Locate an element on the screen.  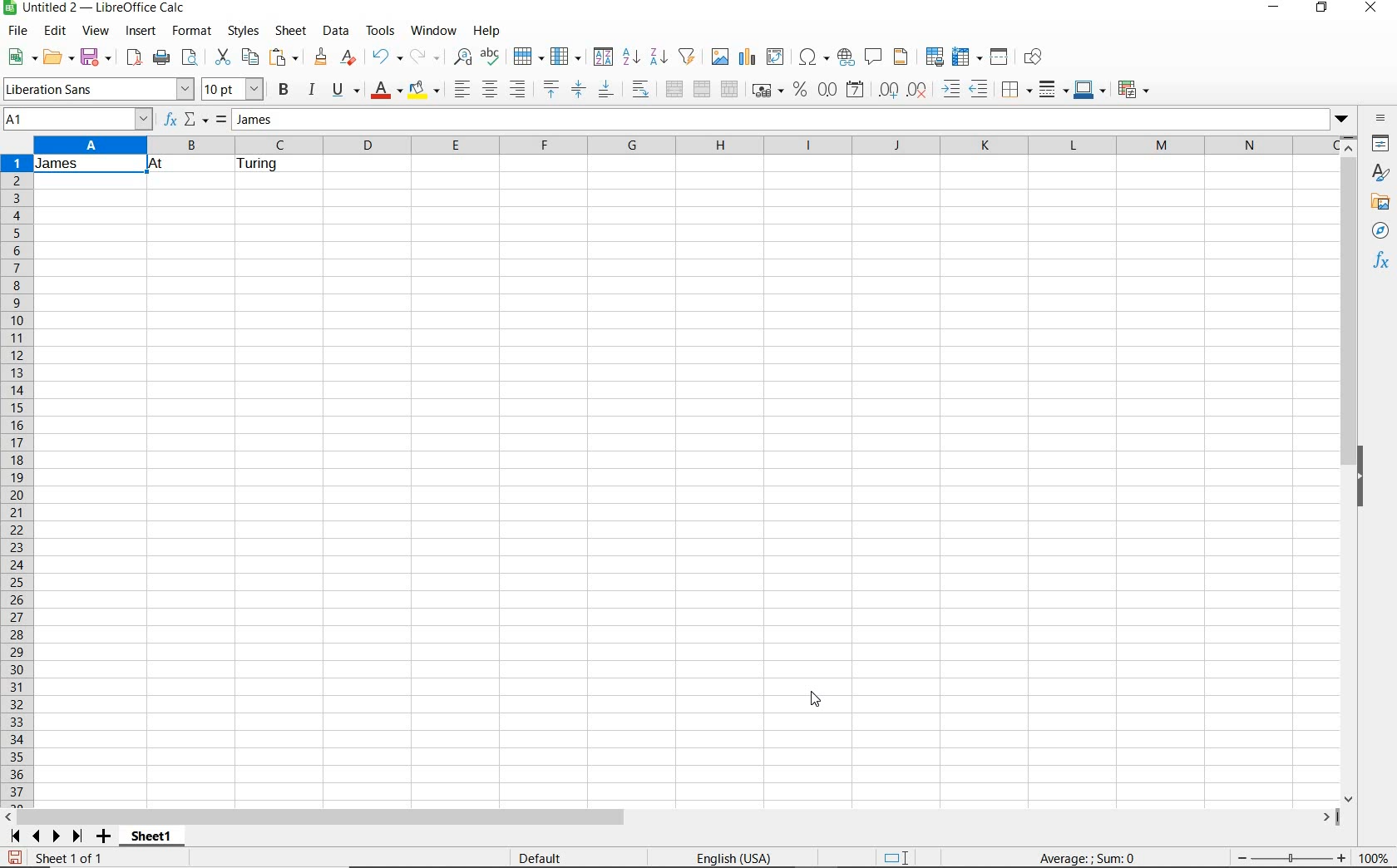
add sheet is located at coordinates (101, 837).